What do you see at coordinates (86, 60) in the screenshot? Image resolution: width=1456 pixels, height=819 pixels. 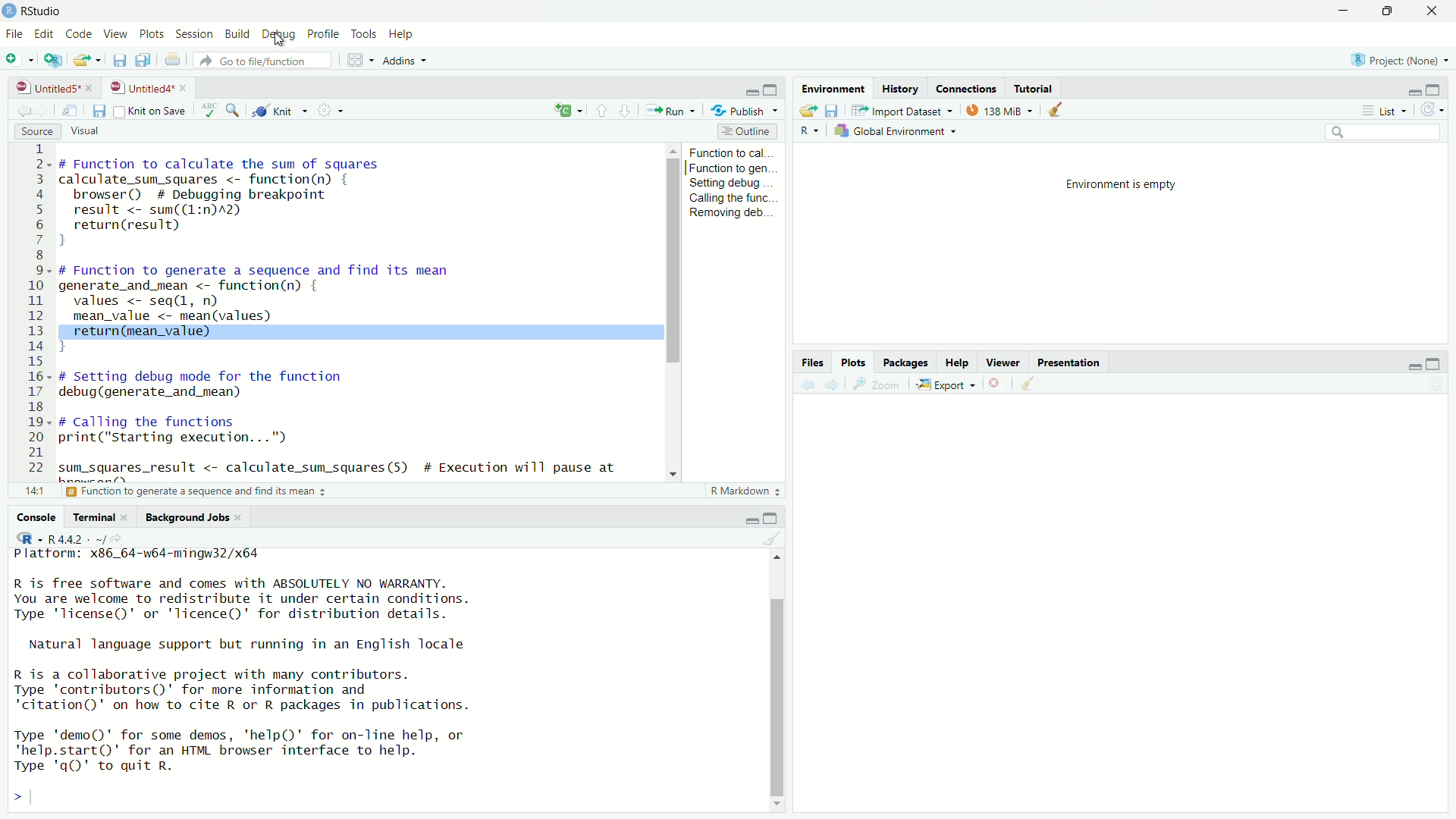 I see `open an existing file` at bounding box center [86, 60].